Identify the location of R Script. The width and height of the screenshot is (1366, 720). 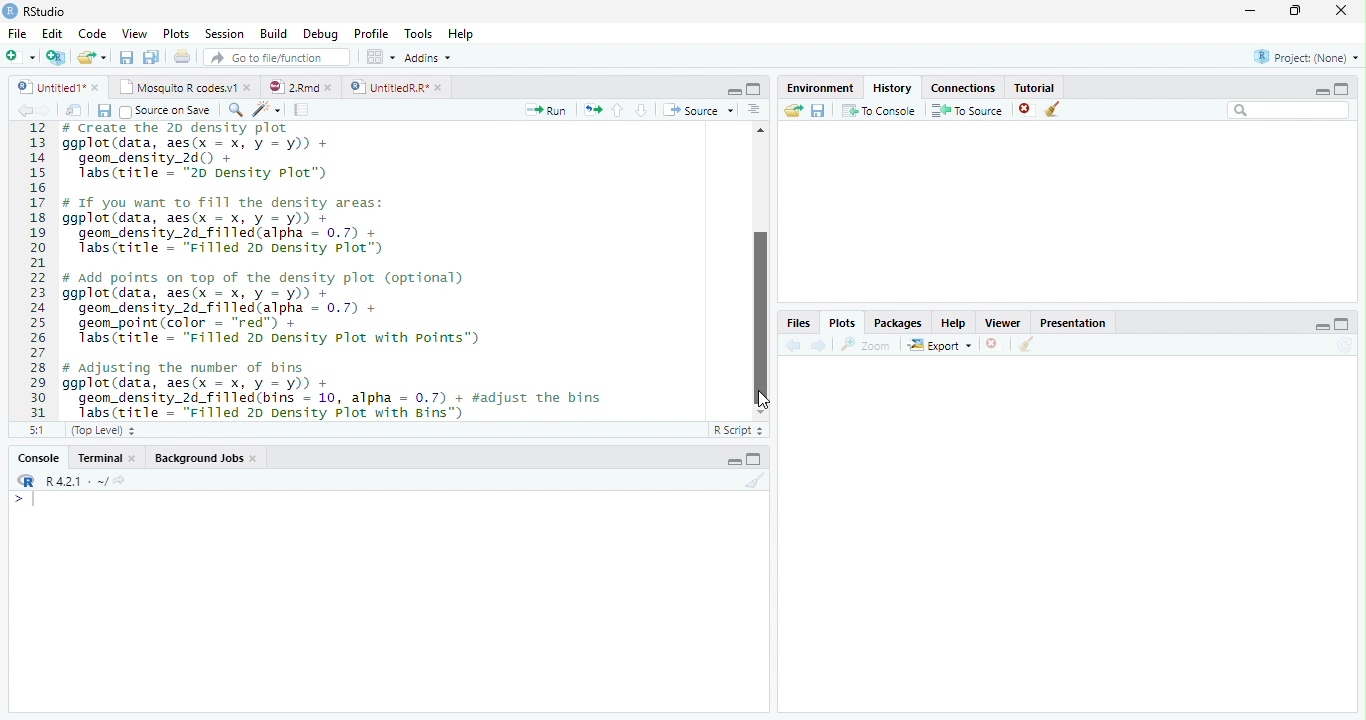
(739, 431).